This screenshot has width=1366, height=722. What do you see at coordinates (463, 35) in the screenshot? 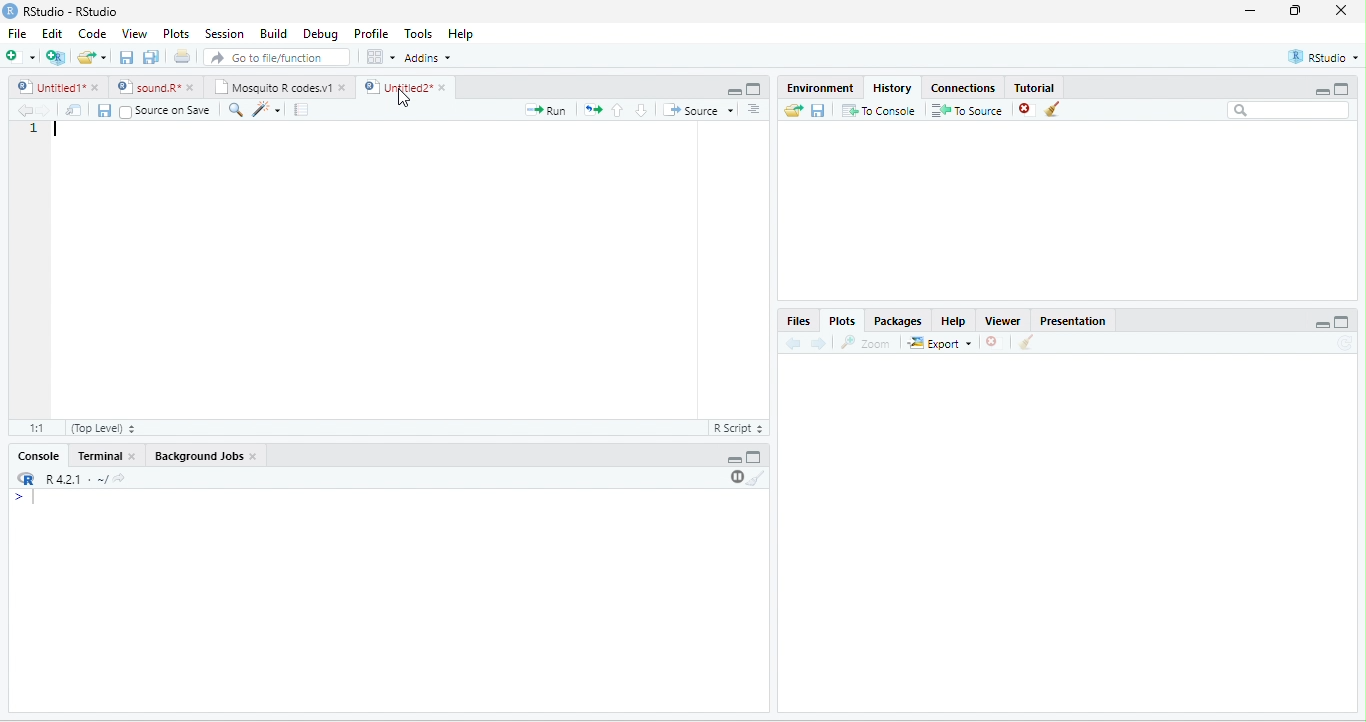
I see `Help` at bounding box center [463, 35].